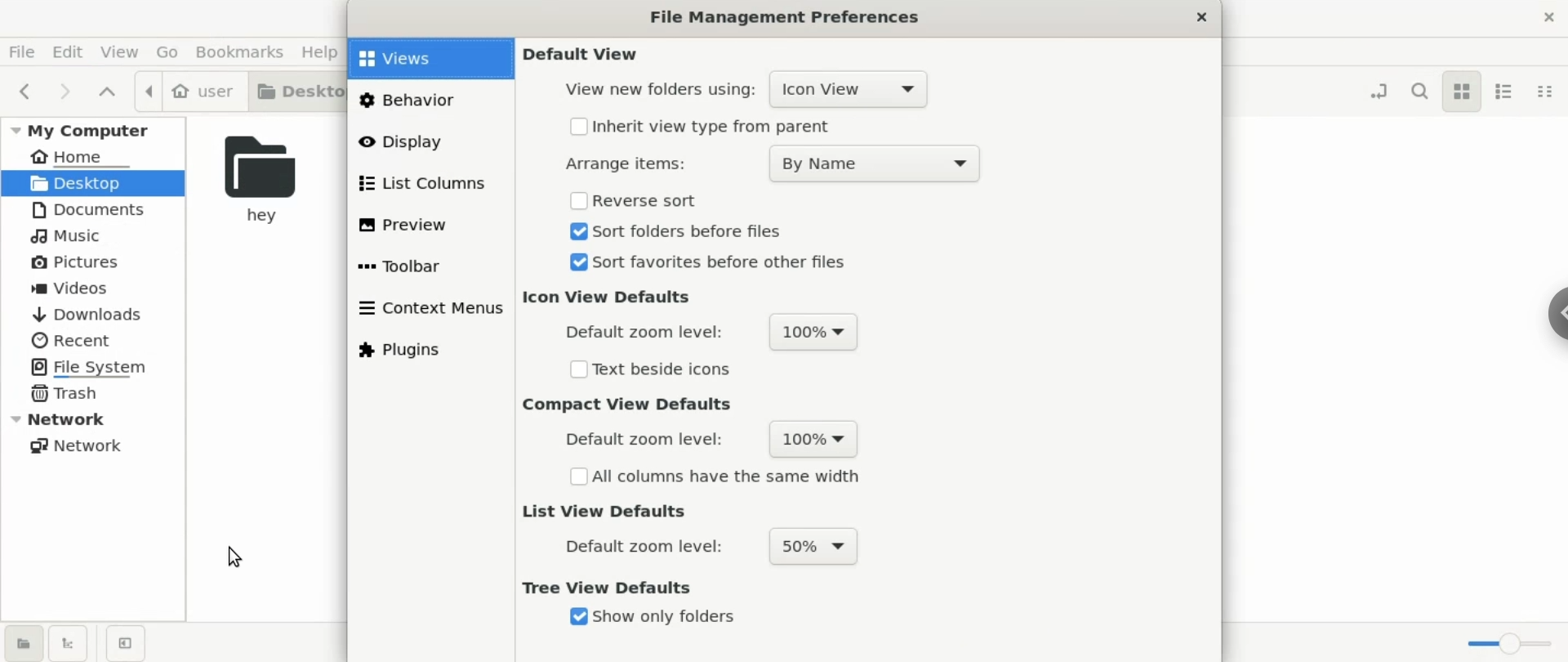  What do you see at coordinates (1555, 314) in the screenshot?
I see `chrome options` at bounding box center [1555, 314].